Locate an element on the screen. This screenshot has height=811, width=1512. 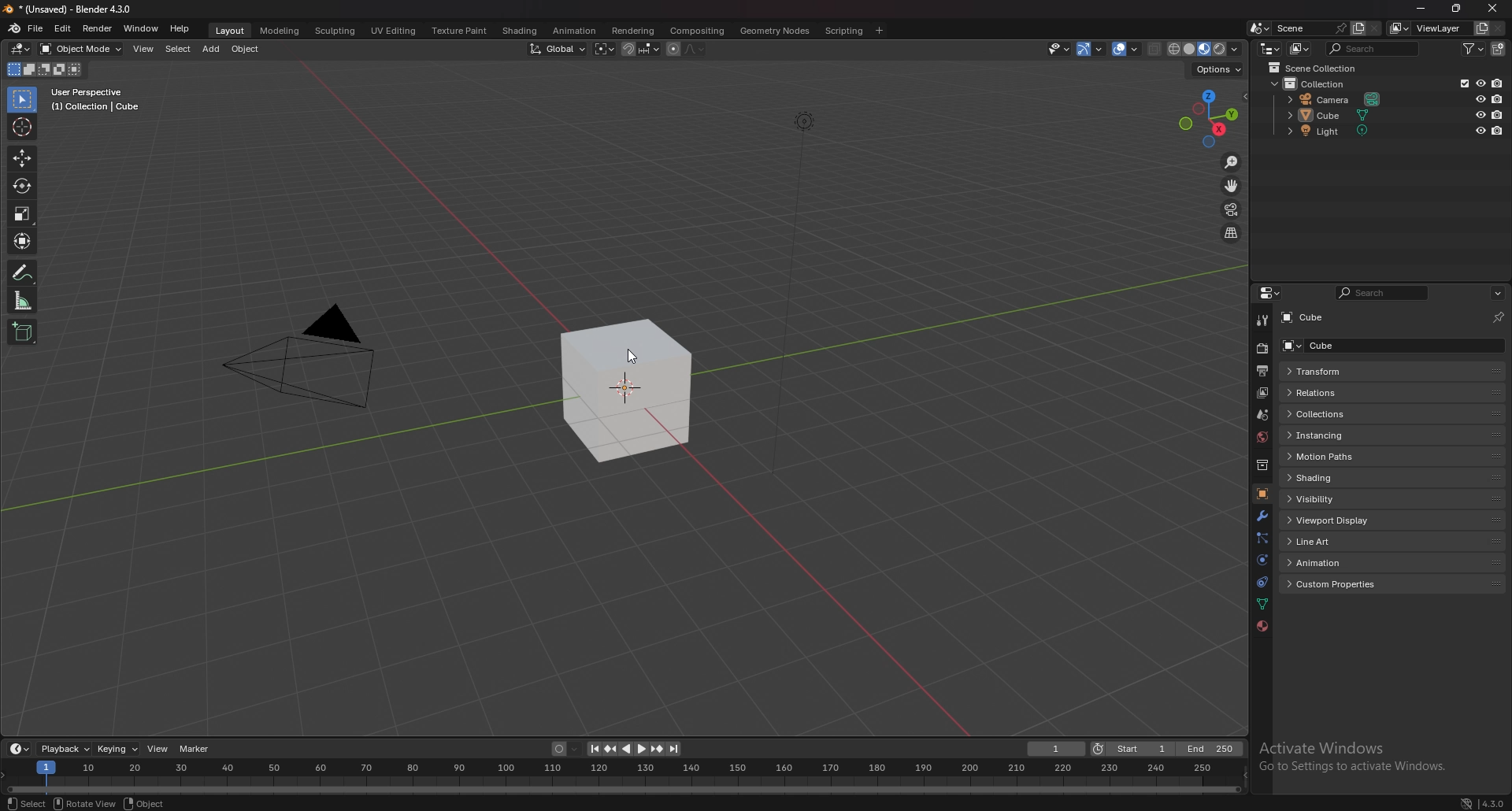
viewport shading is located at coordinates (1206, 48).